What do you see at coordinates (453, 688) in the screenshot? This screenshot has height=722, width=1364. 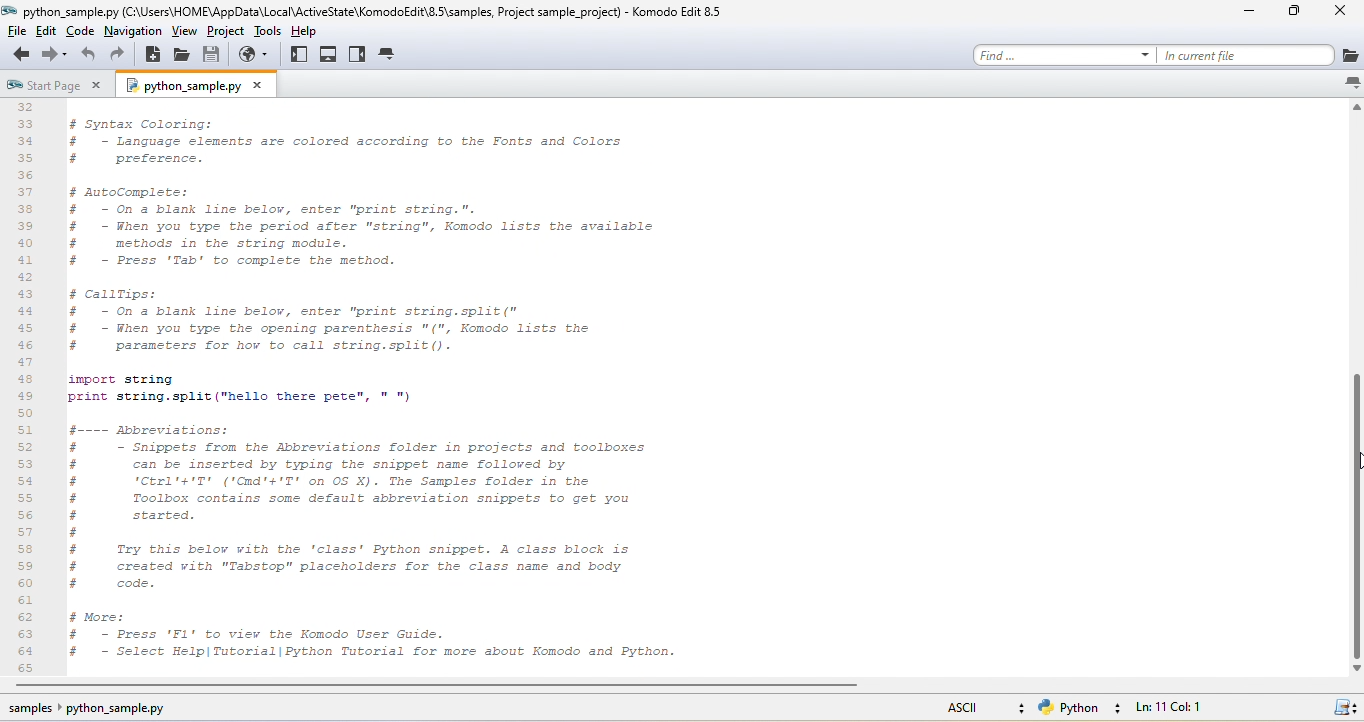 I see `horizontal scroll bar` at bounding box center [453, 688].